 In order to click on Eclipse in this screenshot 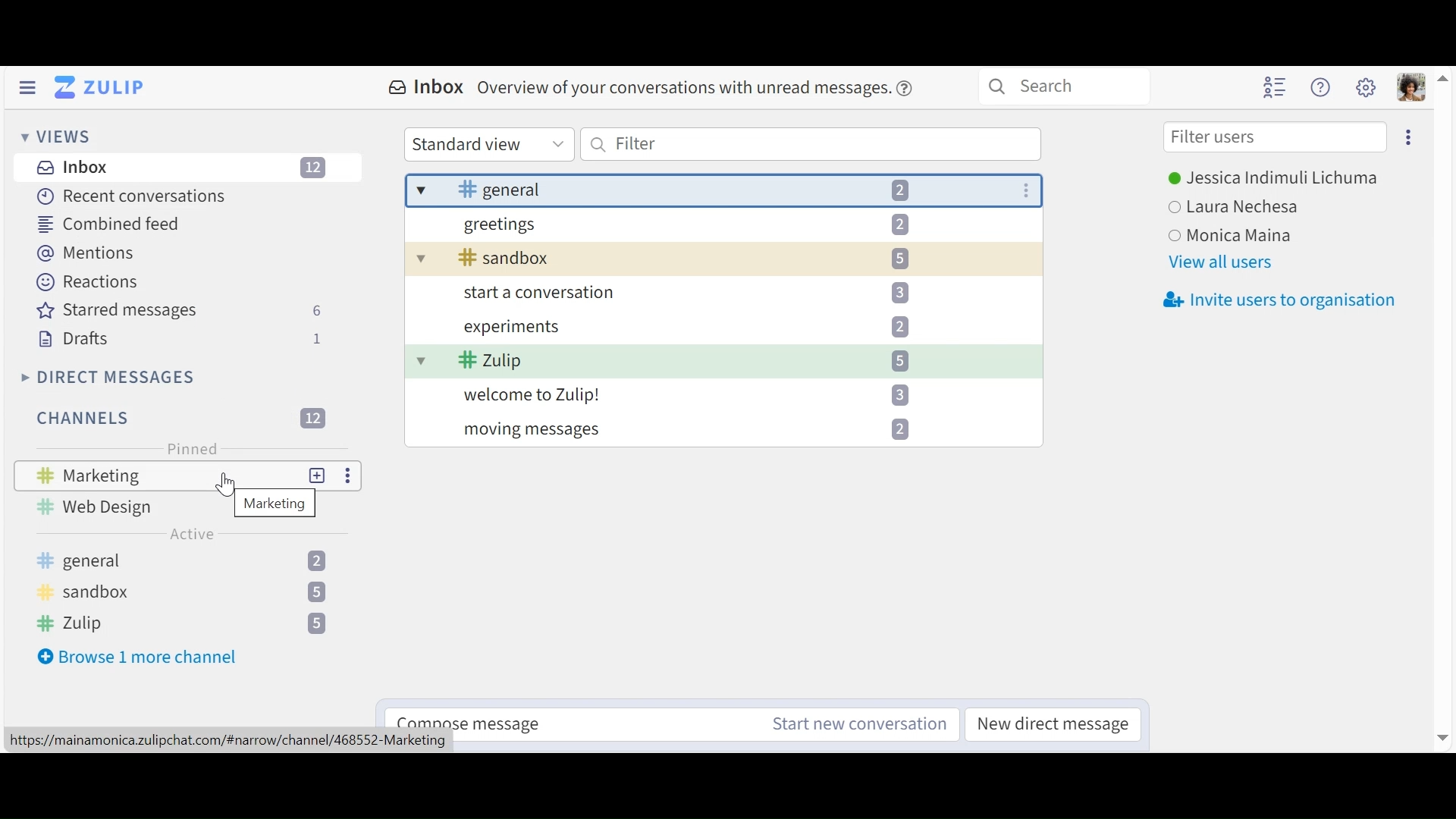, I will do `click(1407, 136)`.